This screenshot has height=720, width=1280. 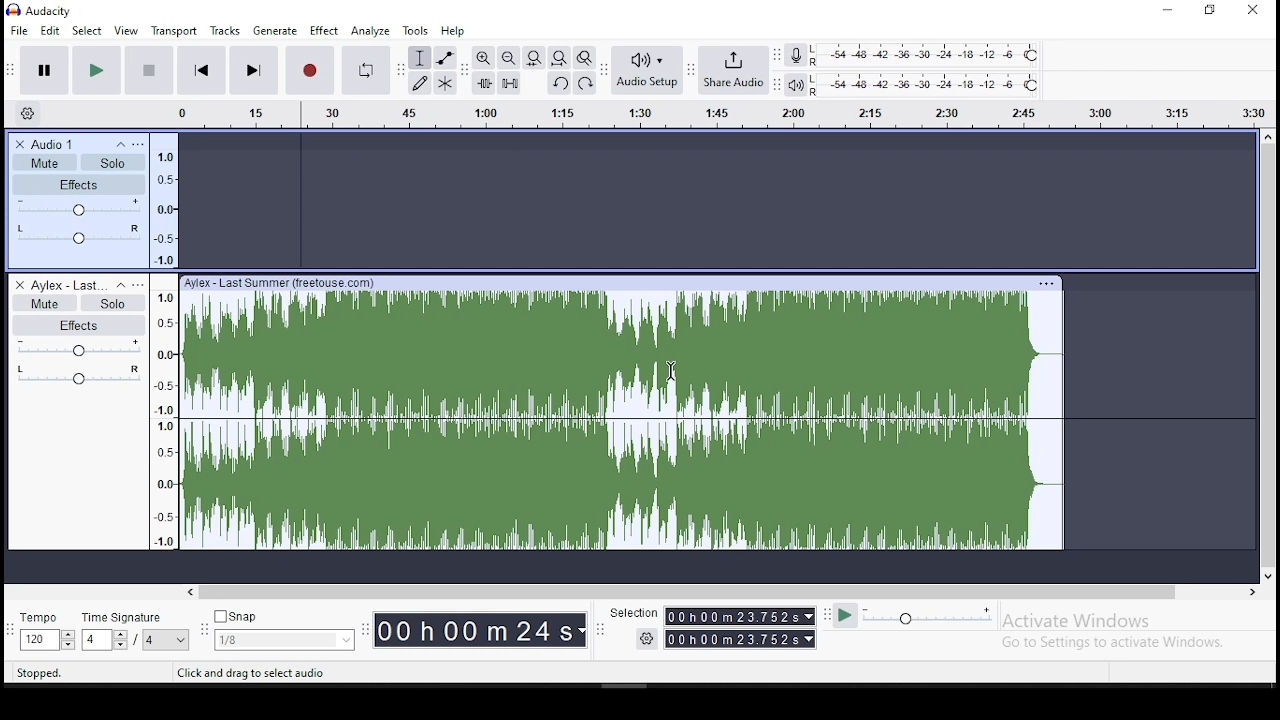 What do you see at coordinates (445, 83) in the screenshot?
I see `multi tool` at bounding box center [445, 83].